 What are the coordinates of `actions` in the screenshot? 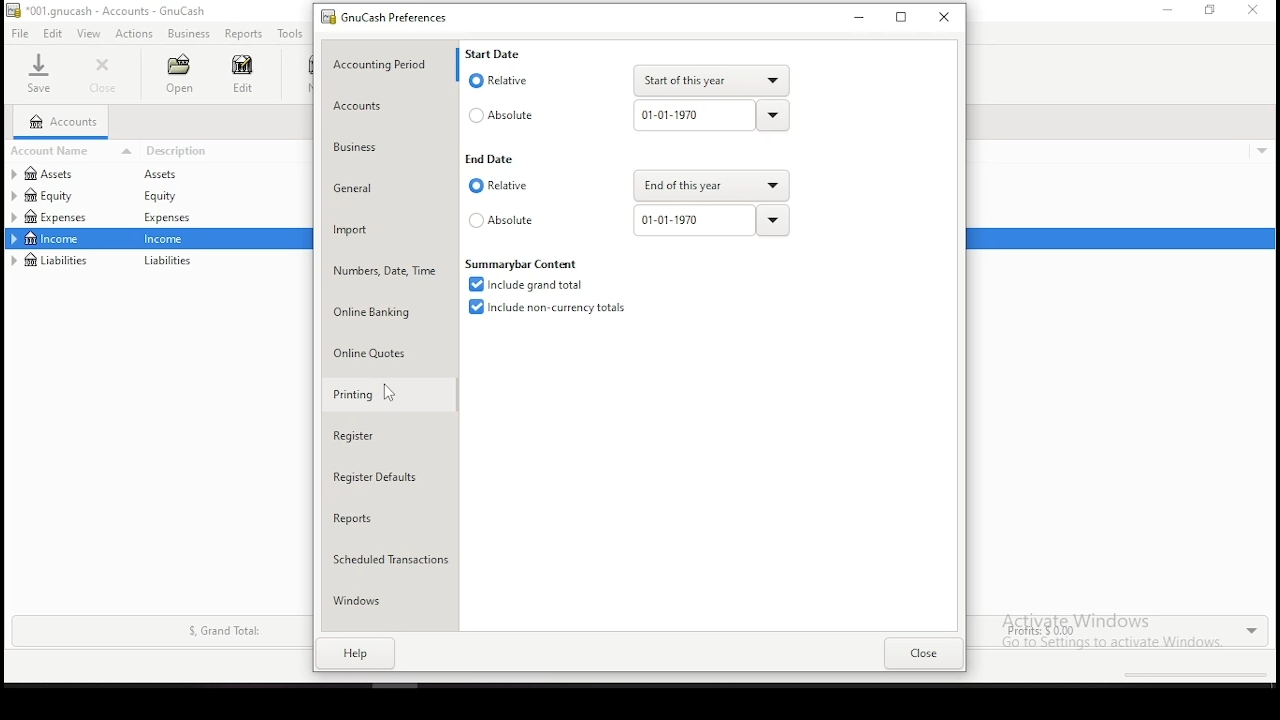 It's located at (135, 34).